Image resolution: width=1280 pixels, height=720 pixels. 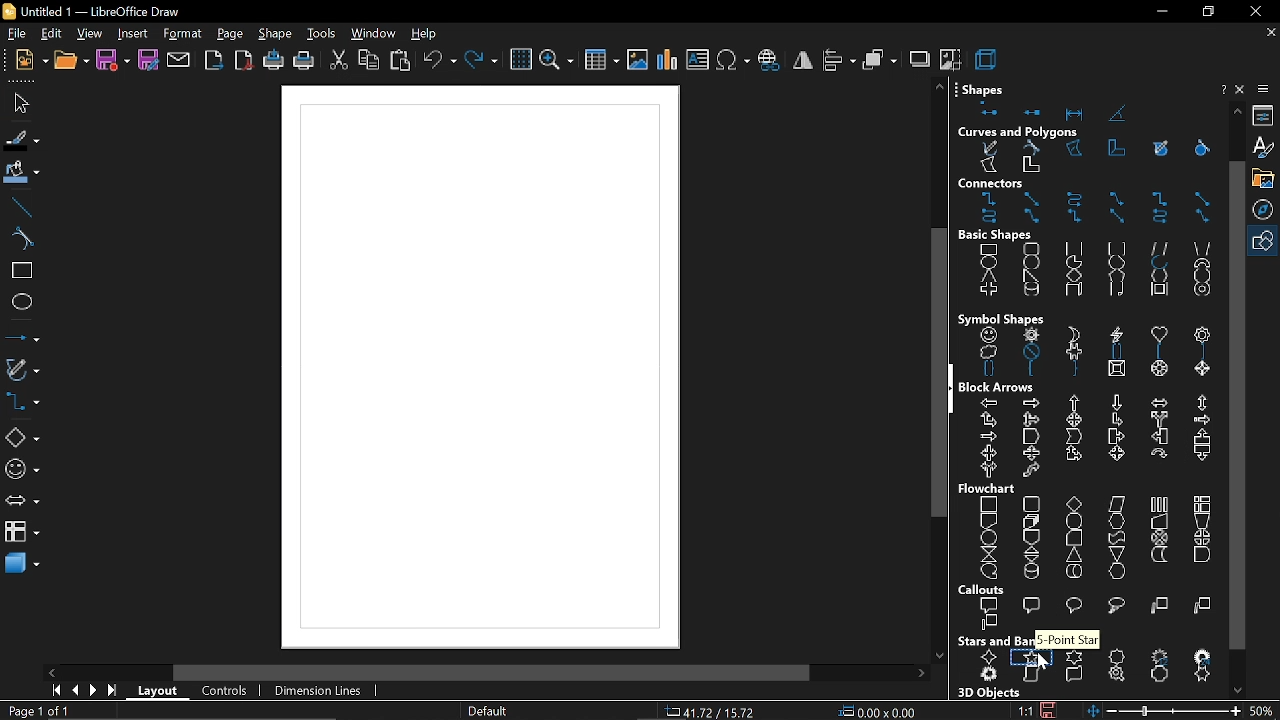 I want to click on page style, so click(x=487, y=712).